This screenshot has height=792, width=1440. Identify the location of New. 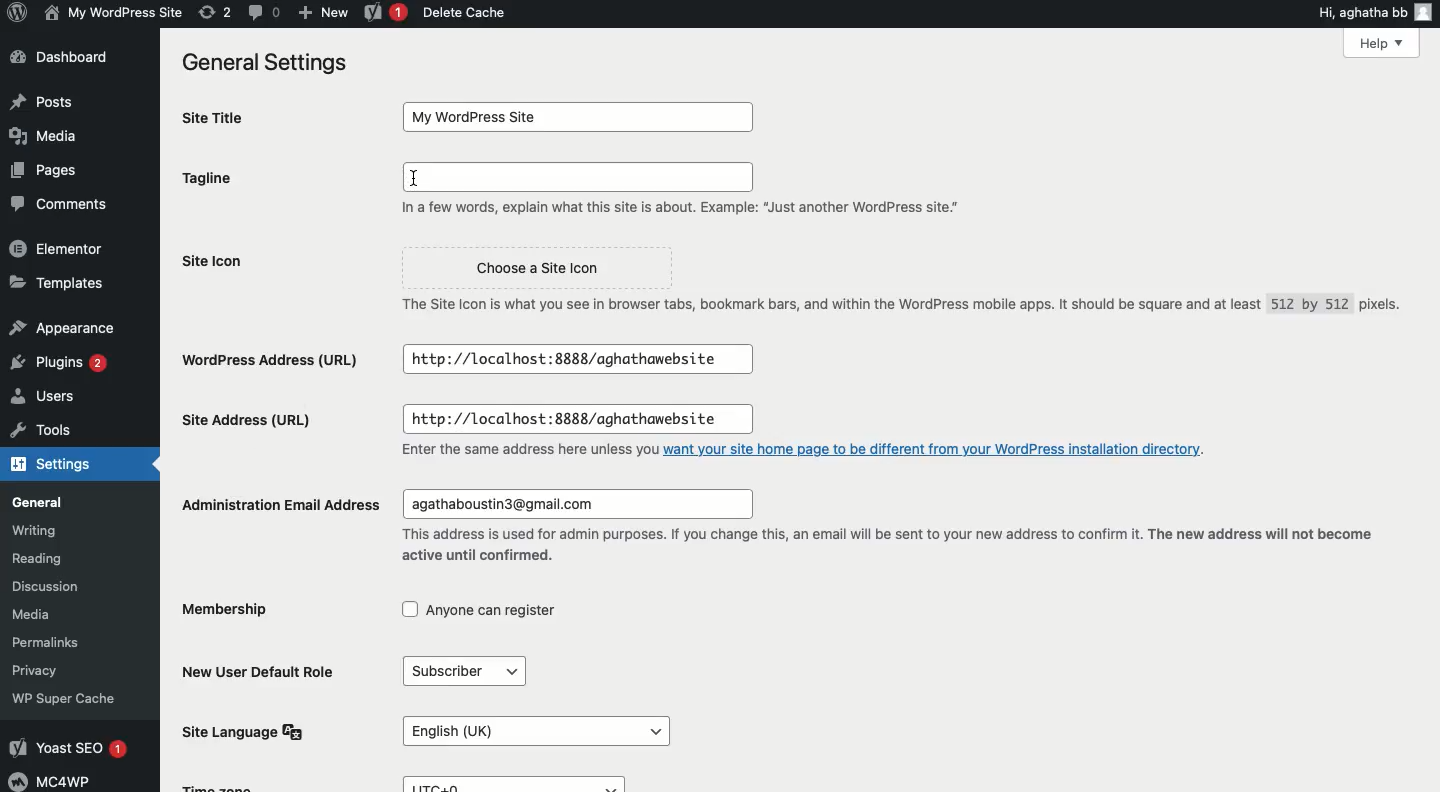
(323, 12).